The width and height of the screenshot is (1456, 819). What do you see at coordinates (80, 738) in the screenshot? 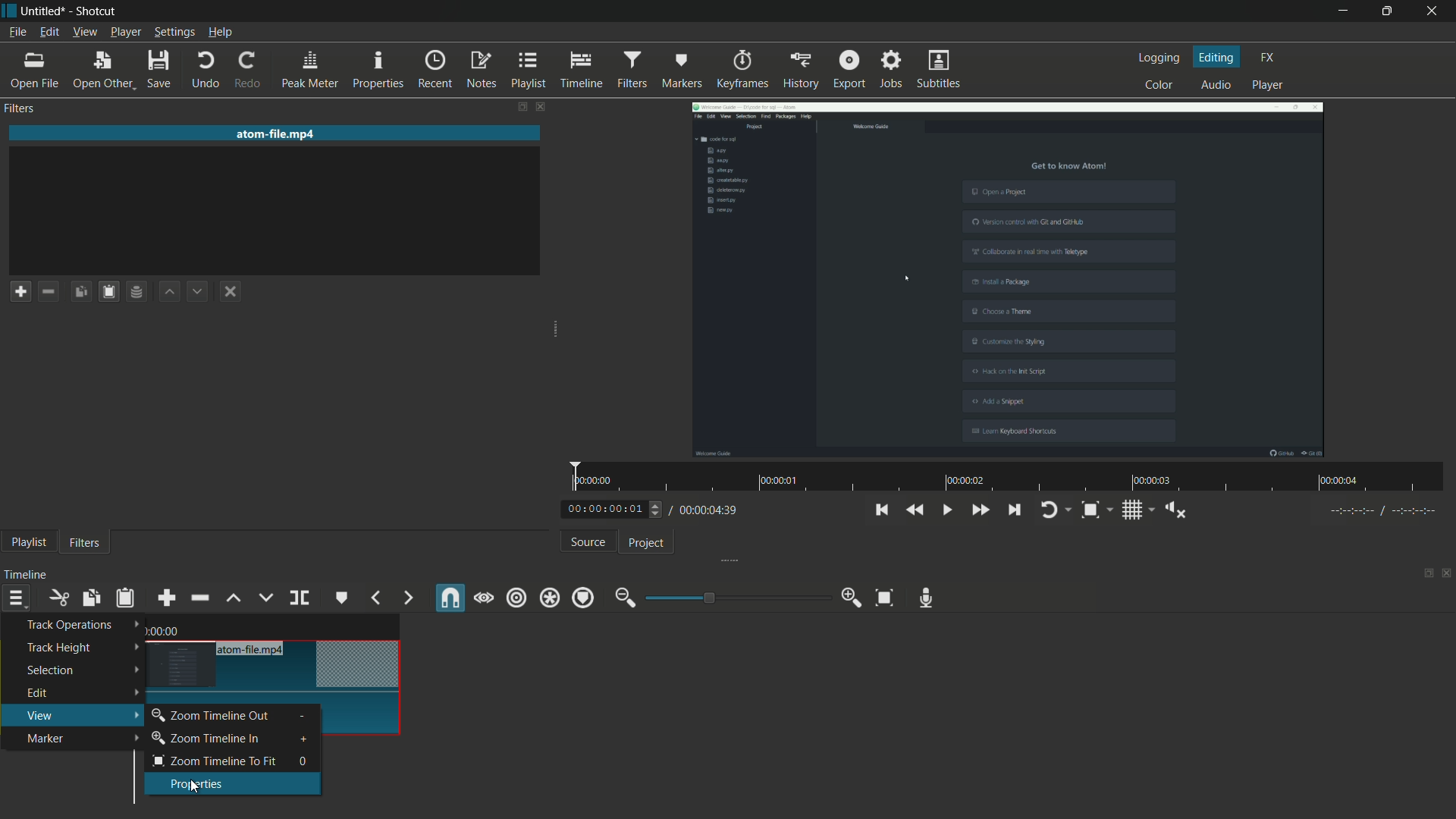
I see `marker` at bounding box center [80, 738].